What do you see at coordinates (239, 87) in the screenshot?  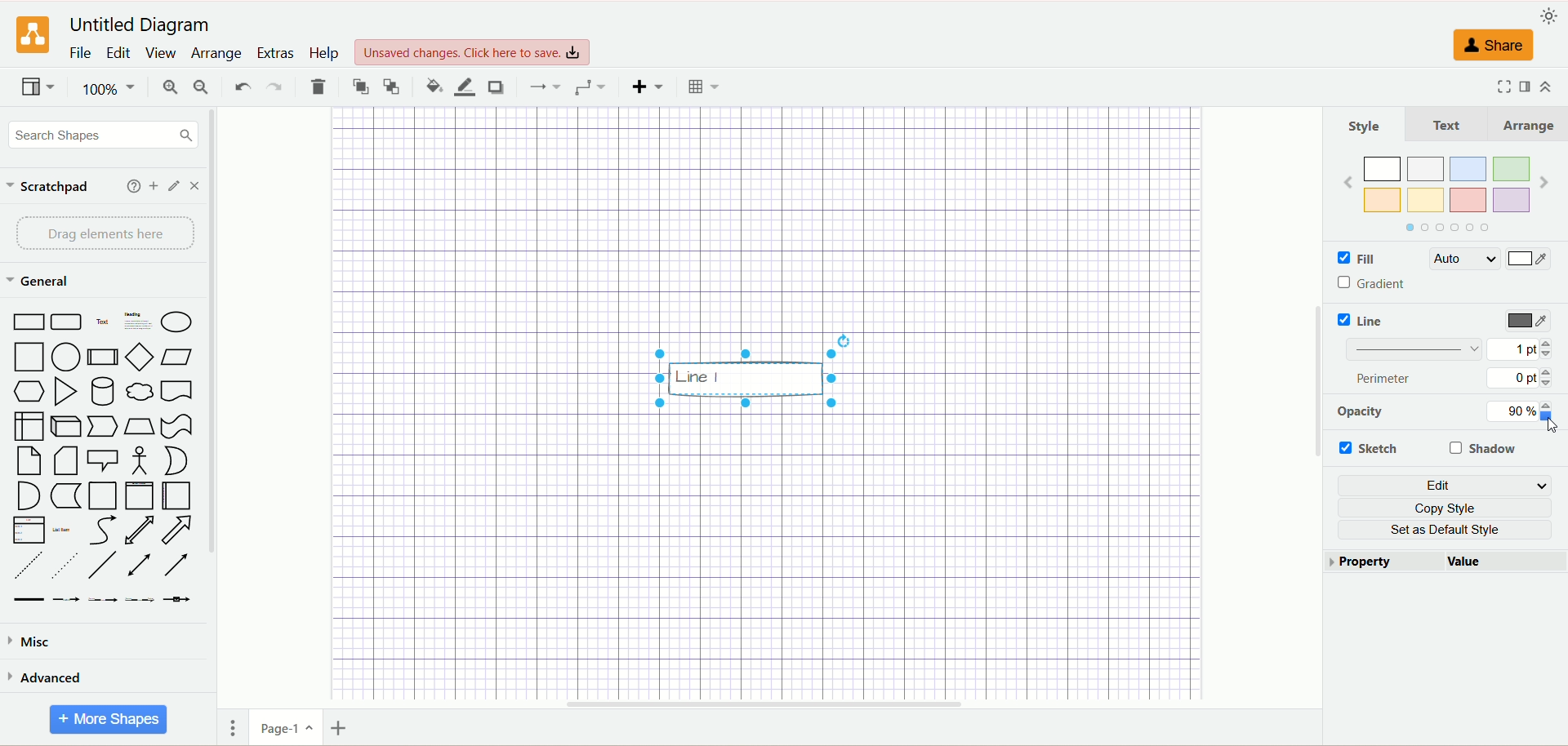 I see `undo` at bounding box center [239, 87].